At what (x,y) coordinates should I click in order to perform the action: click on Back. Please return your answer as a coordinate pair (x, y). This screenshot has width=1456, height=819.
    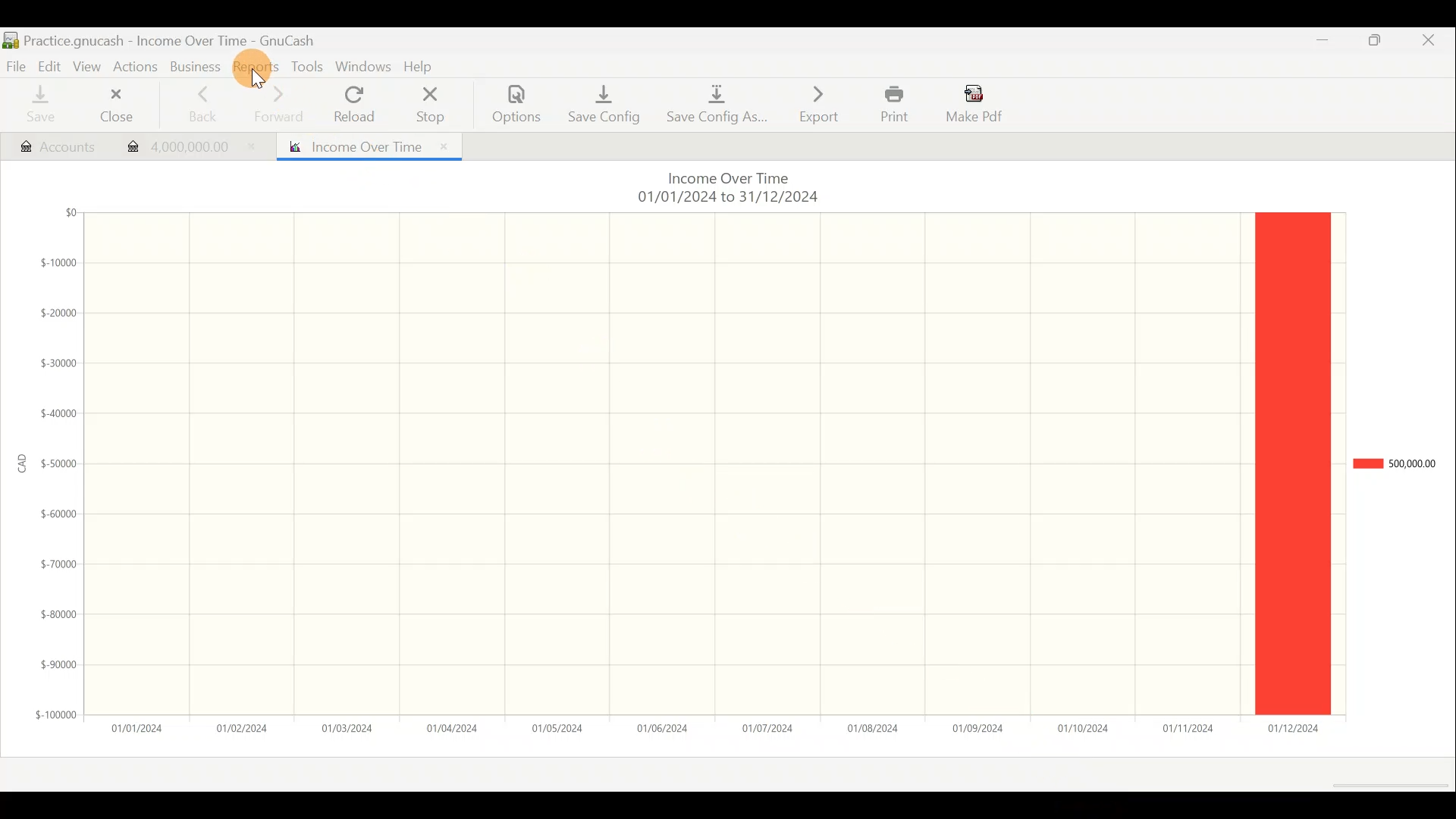
    Looking at the image, I should click on (202, 102).